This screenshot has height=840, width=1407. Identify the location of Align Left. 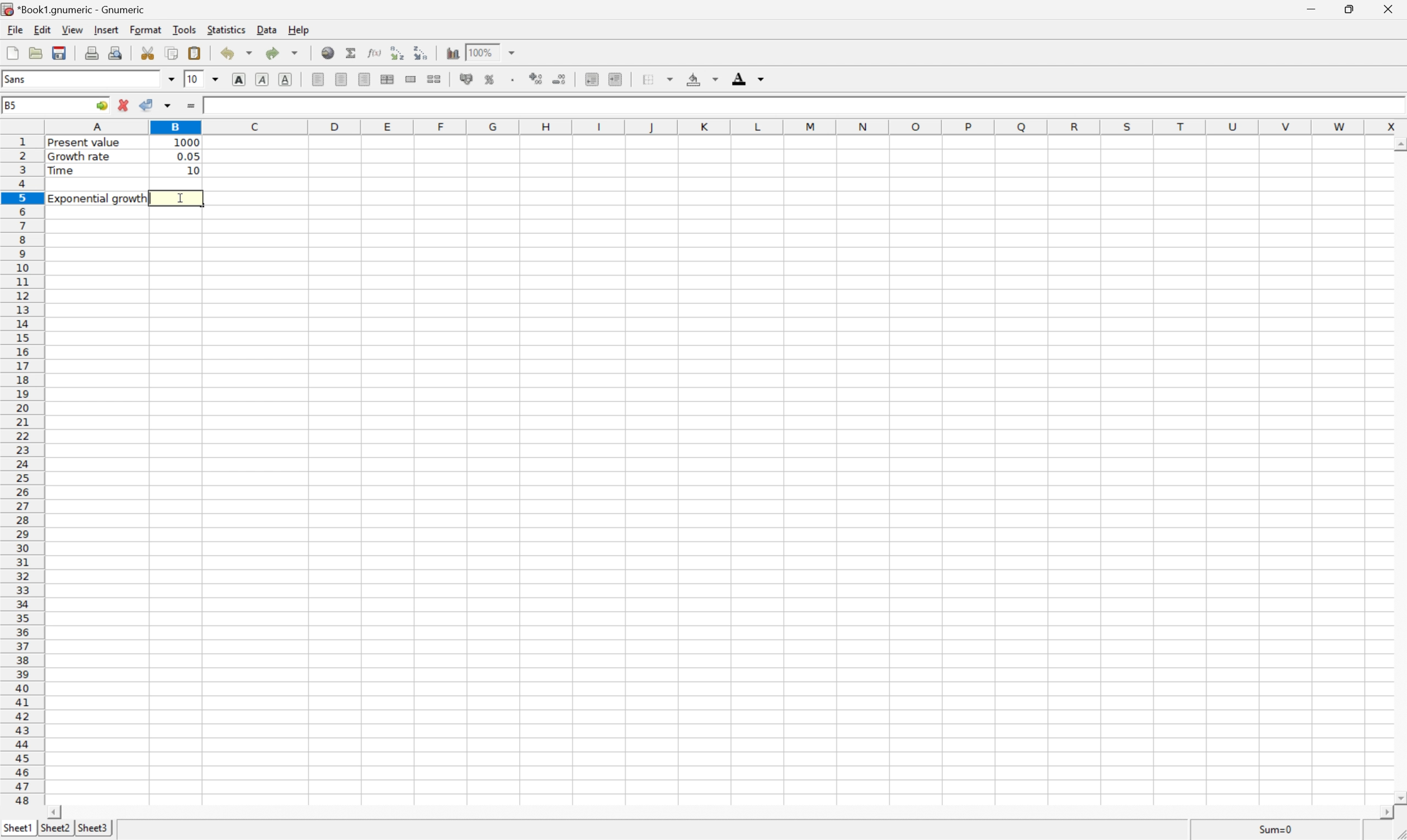
(318, 78).